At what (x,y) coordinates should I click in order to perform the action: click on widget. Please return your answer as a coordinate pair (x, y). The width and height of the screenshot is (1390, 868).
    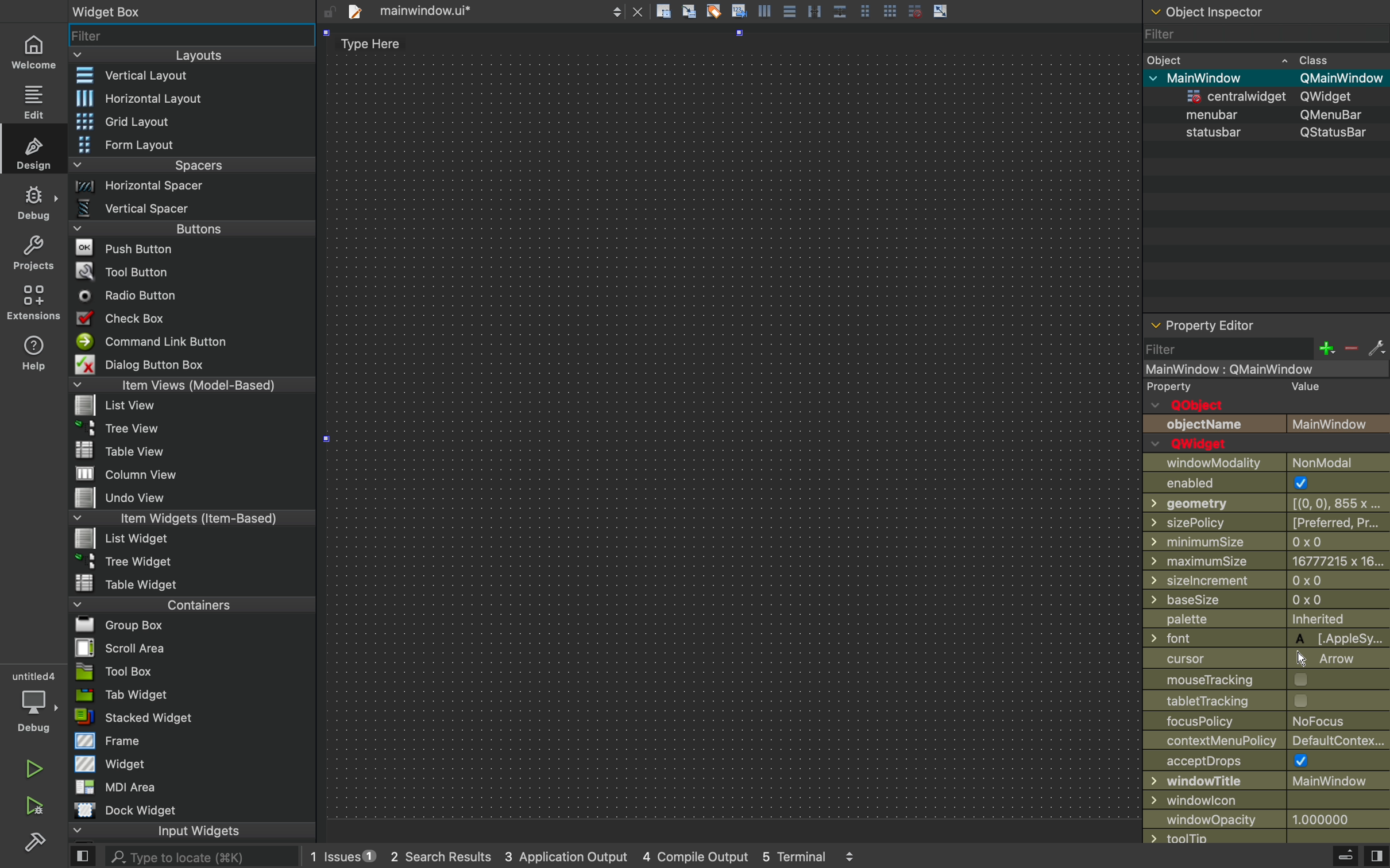
    Looking at the image, I should click on (191, 764).